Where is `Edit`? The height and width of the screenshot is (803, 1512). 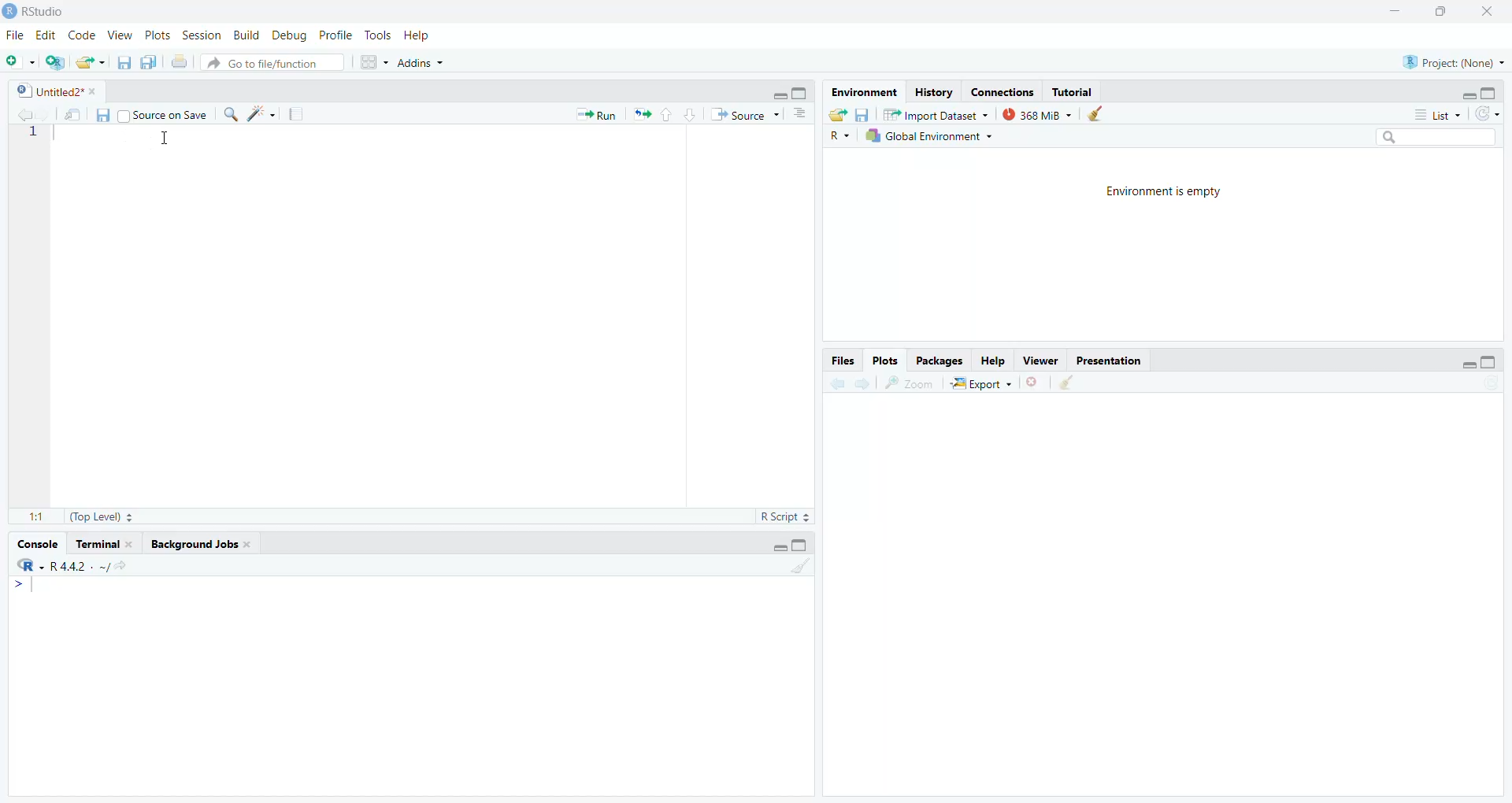
Edit is located at coordinates (47, 35).